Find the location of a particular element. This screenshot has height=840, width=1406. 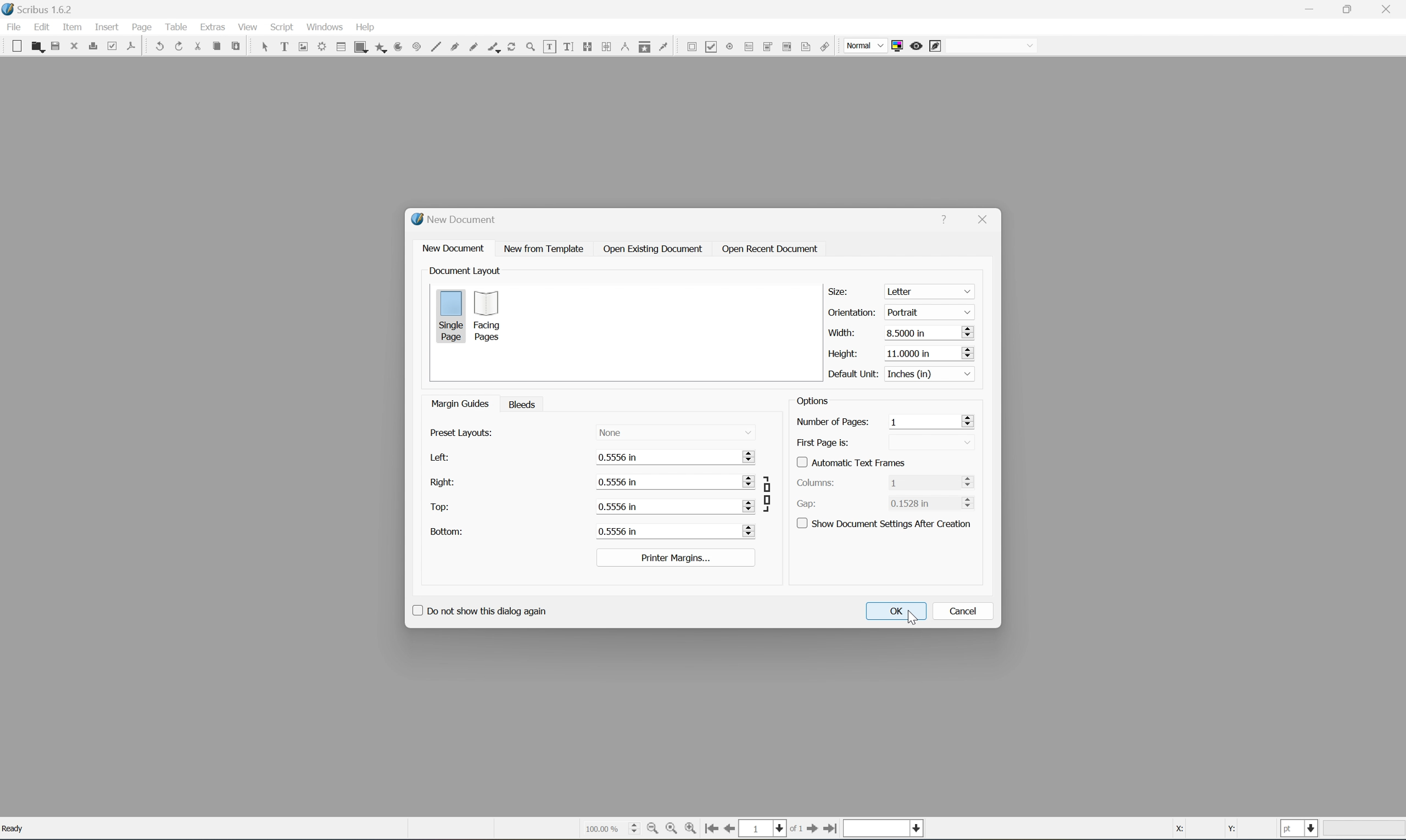

0.556 in is located at coordinates (672, 531).